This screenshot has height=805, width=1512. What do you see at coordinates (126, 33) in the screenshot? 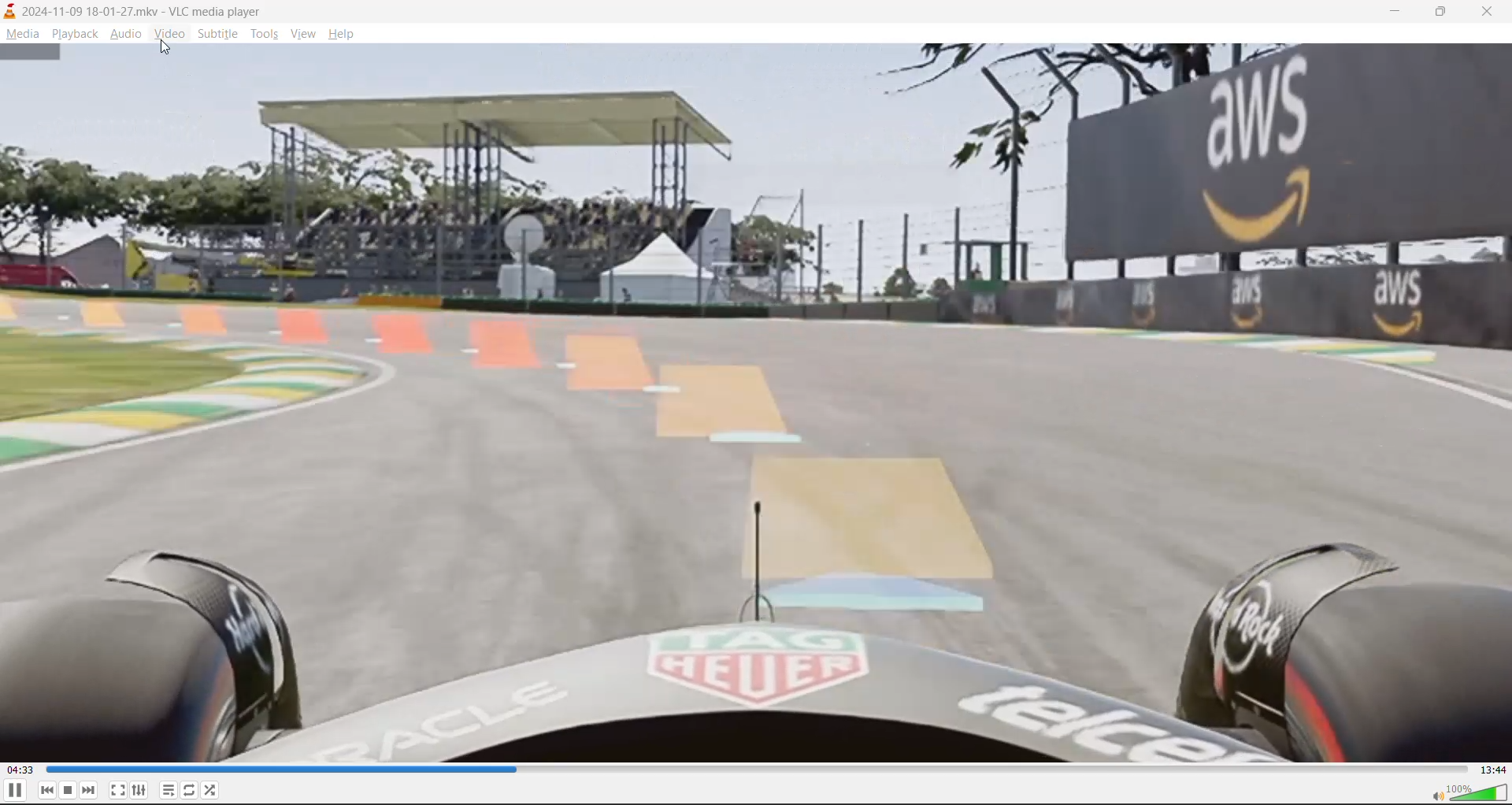
I see `audio` at bounding box center [126, 33].